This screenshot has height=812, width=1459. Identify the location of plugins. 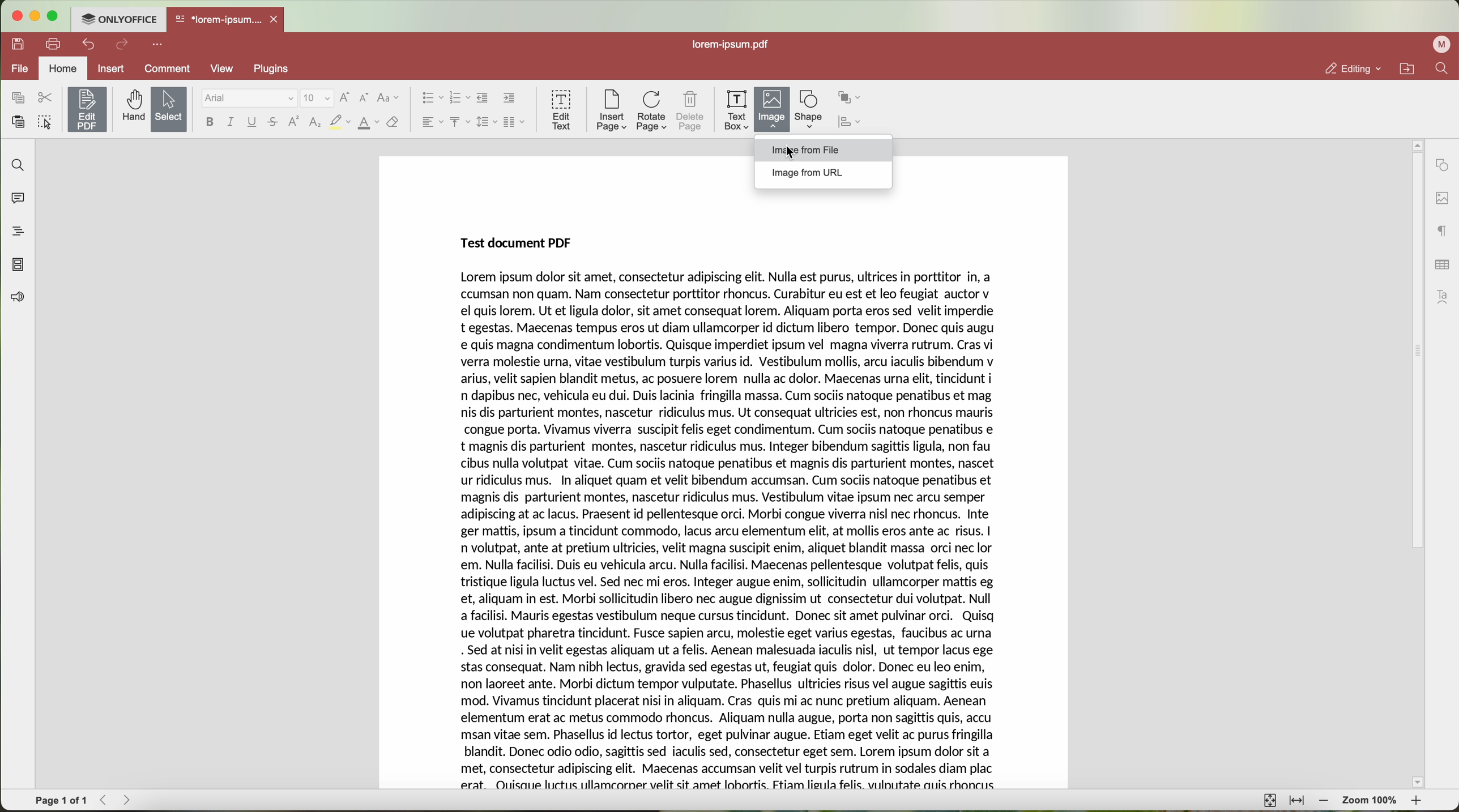
(278, 69).